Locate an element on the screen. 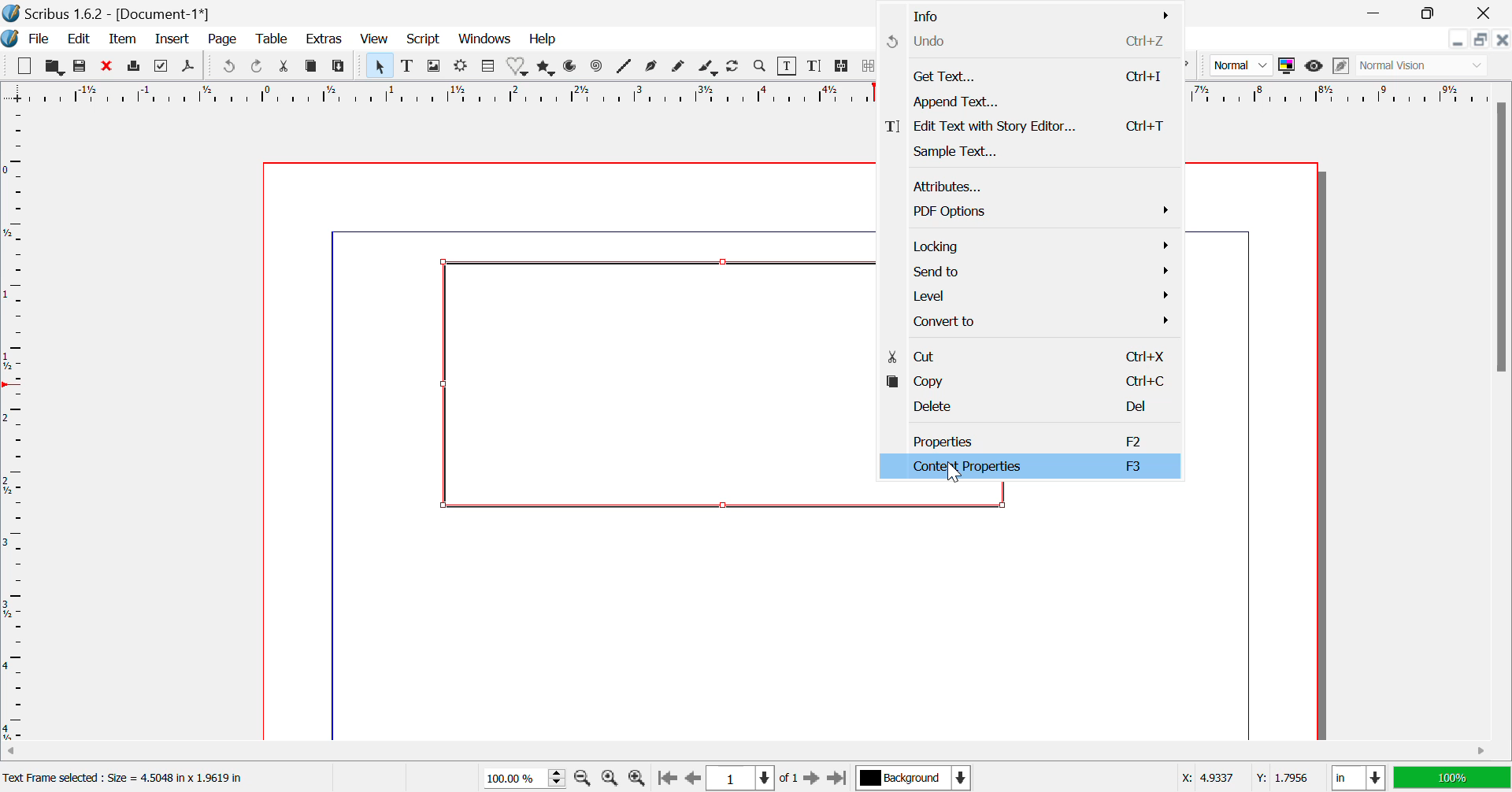 This screenshot has height=792, width=1512. Edit in Preview Mode is located at coordinates (1341, 68).